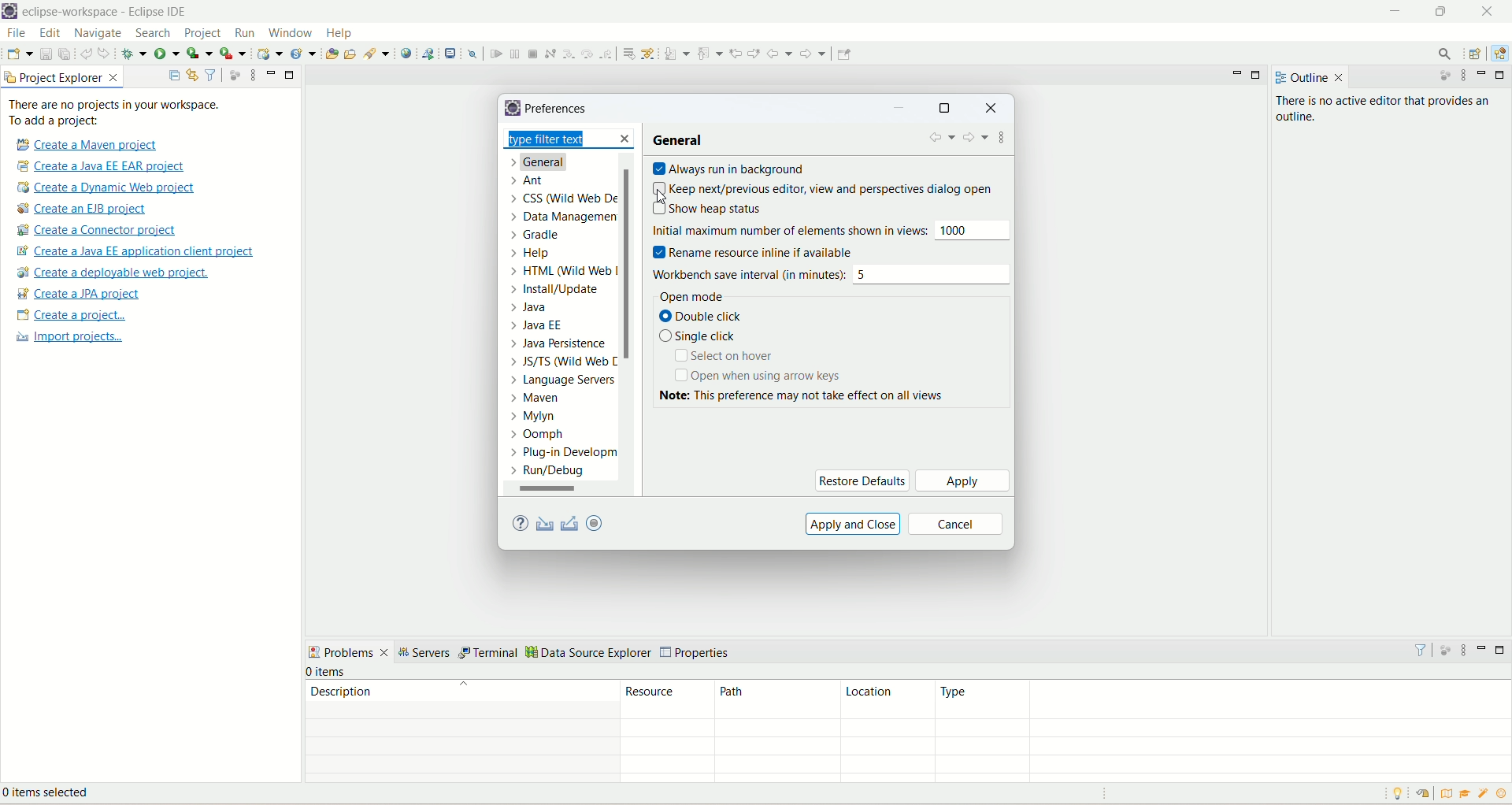  I want to click on close, so click(1487, 11).